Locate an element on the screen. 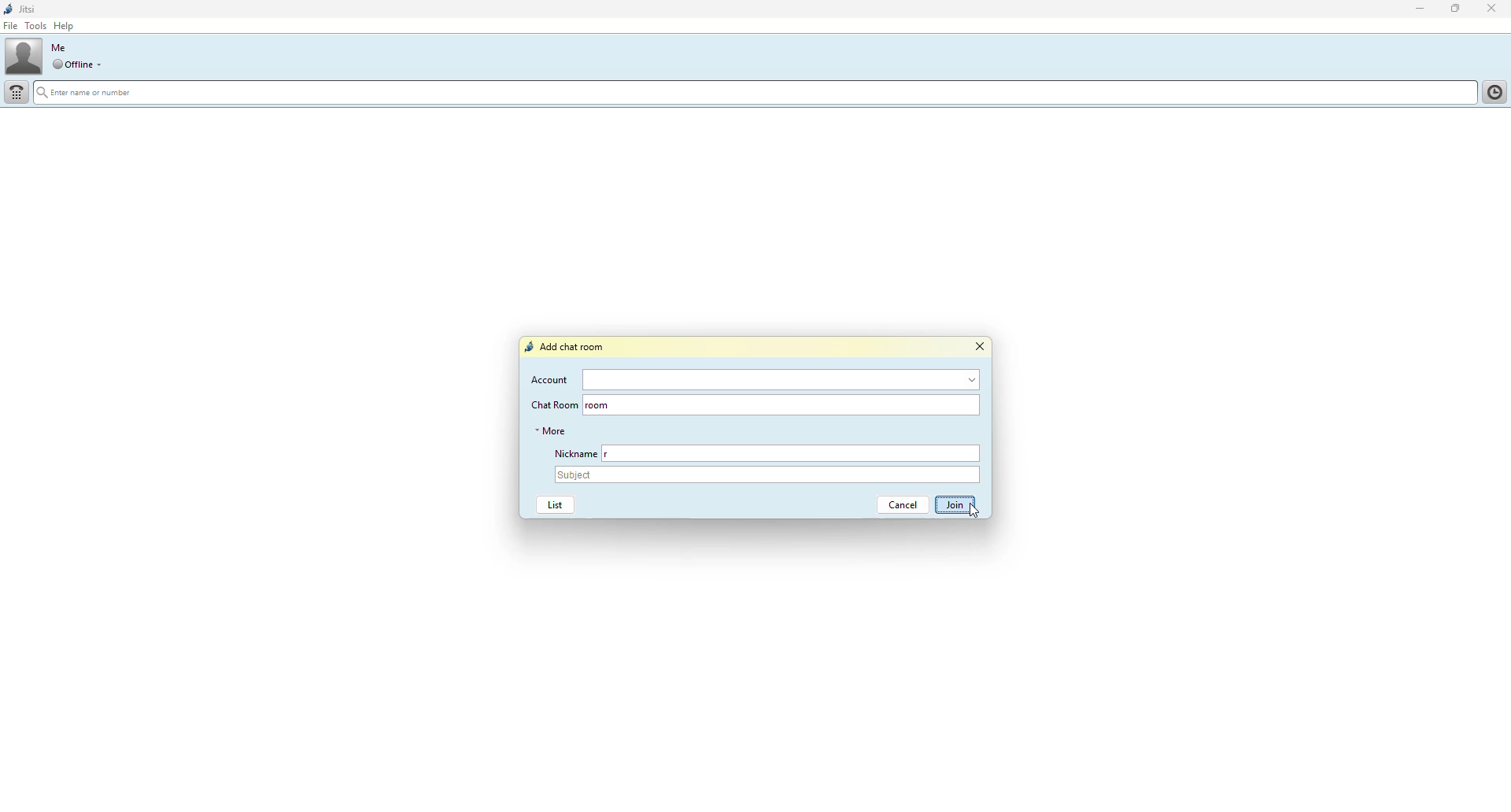  me is located at coordinates (58, 47).